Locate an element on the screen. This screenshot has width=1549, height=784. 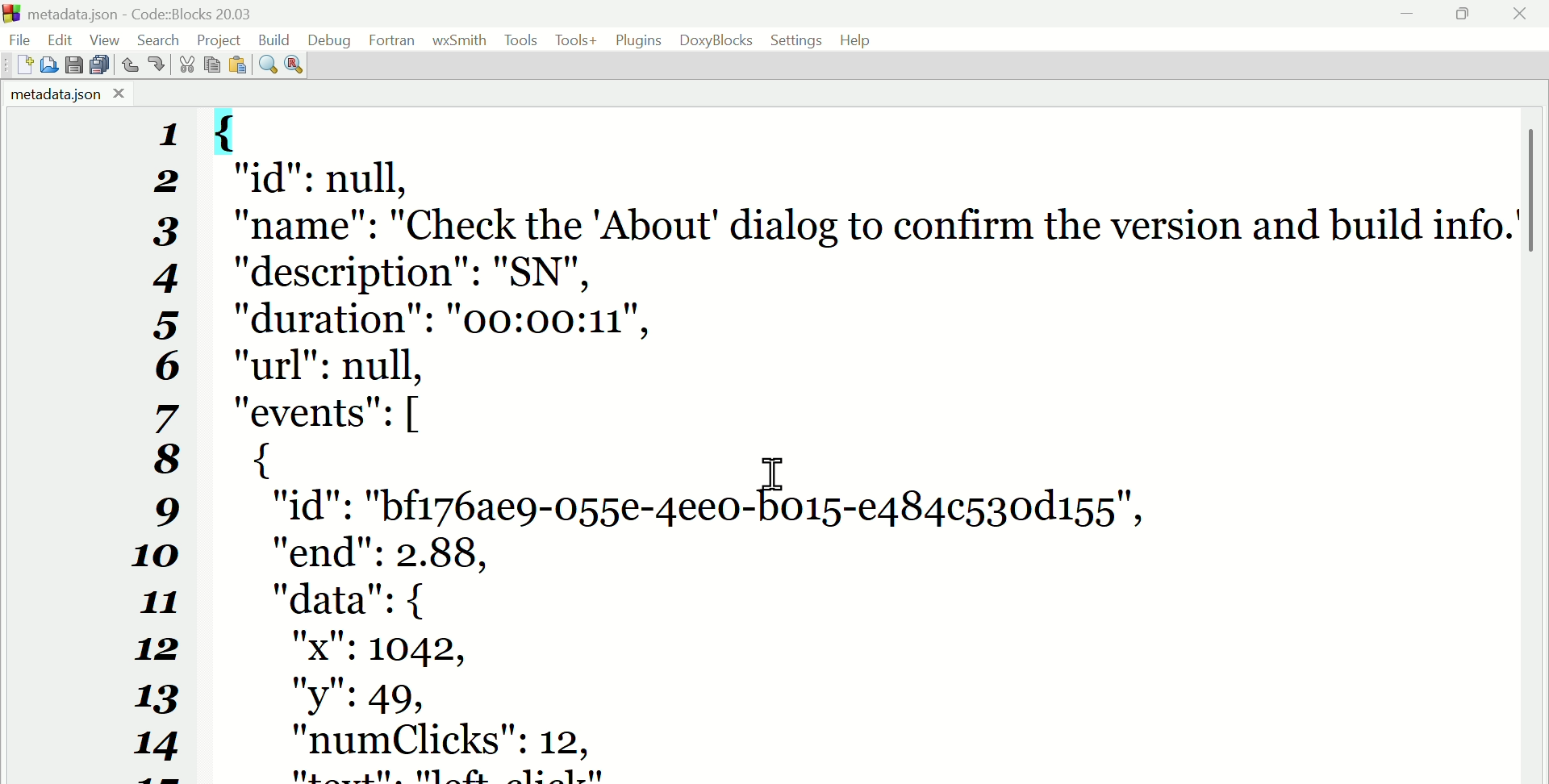
Tools is located at coordinates (575, 42).